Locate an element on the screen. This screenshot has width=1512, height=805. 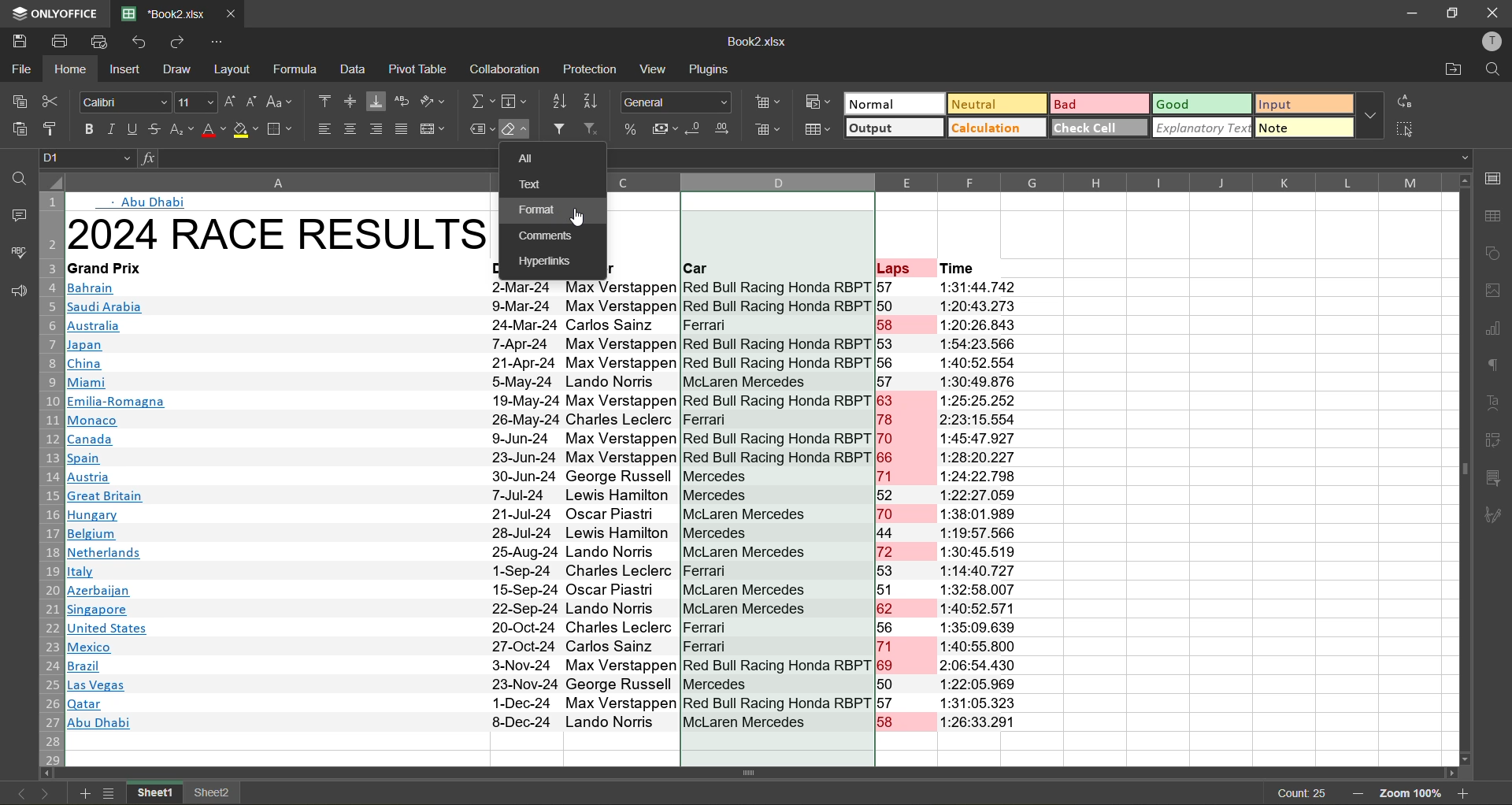
calculation is located at coordinates (997, 129).